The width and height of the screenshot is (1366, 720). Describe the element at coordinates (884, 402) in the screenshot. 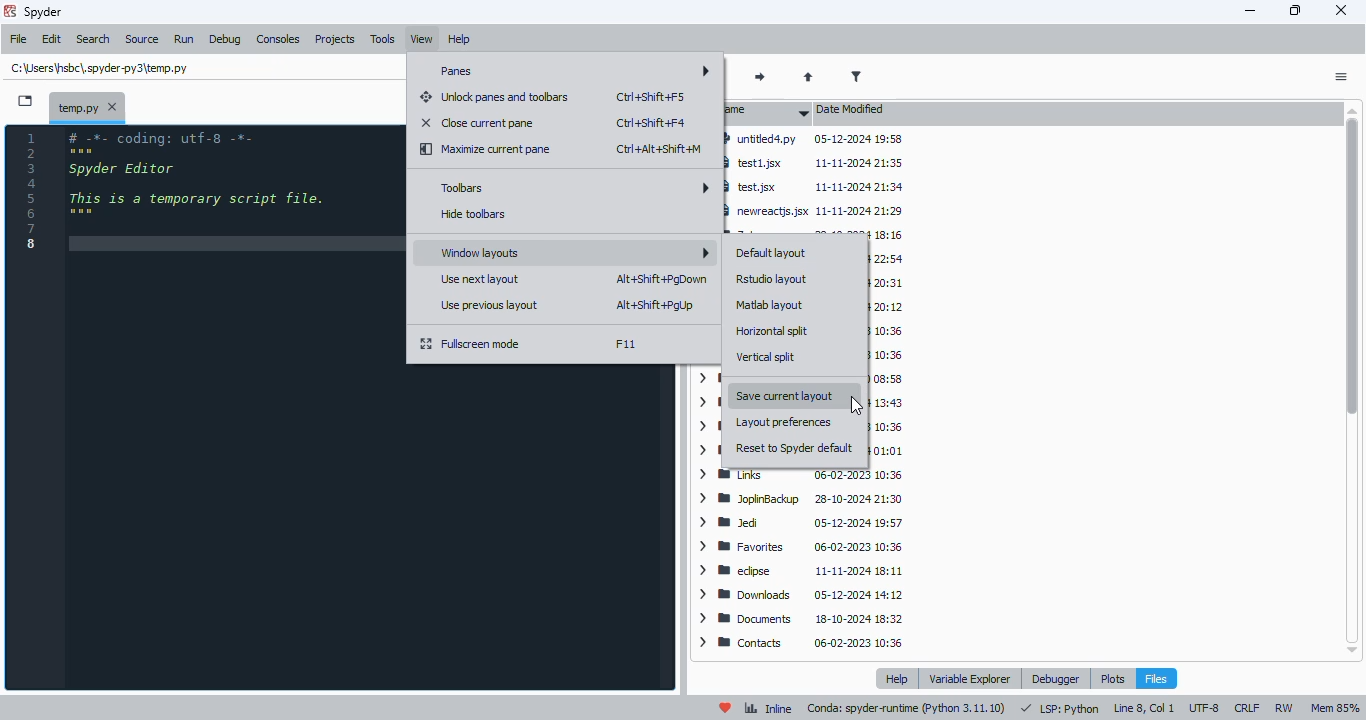

I see `OneDrive` at that location.